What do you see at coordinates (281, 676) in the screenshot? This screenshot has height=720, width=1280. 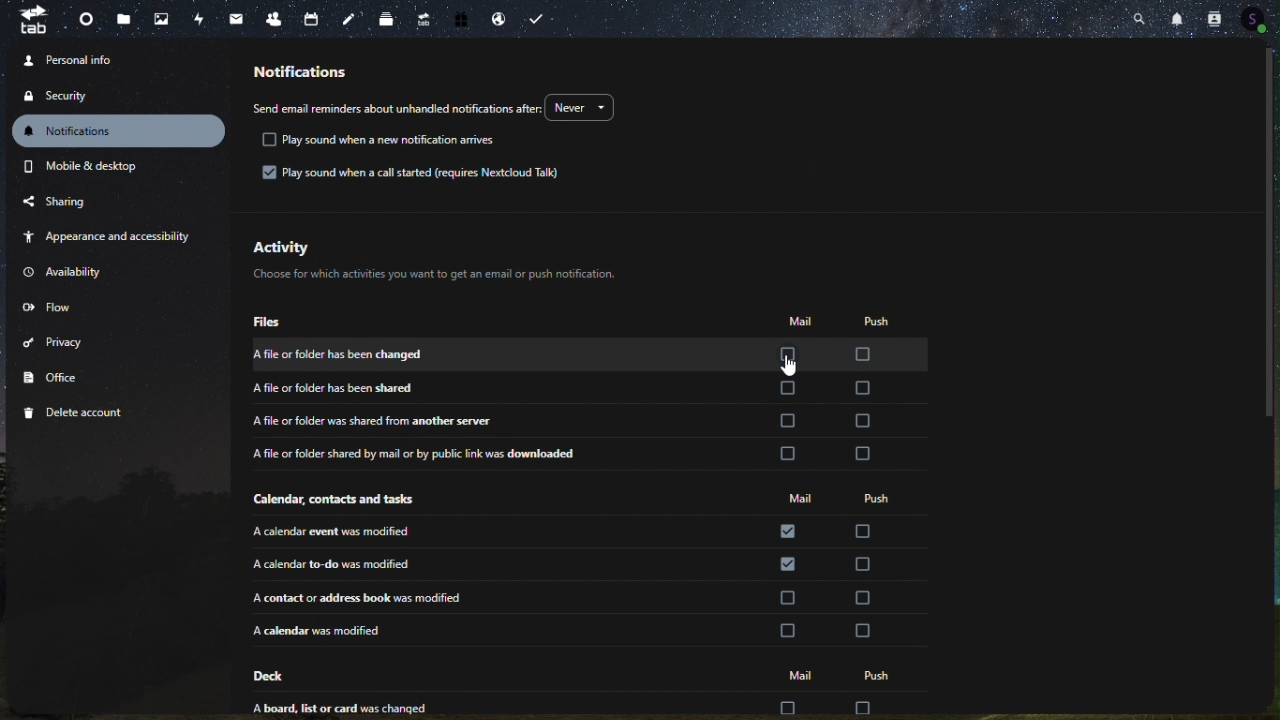 I see `deck` at bounding box center [281, 676].